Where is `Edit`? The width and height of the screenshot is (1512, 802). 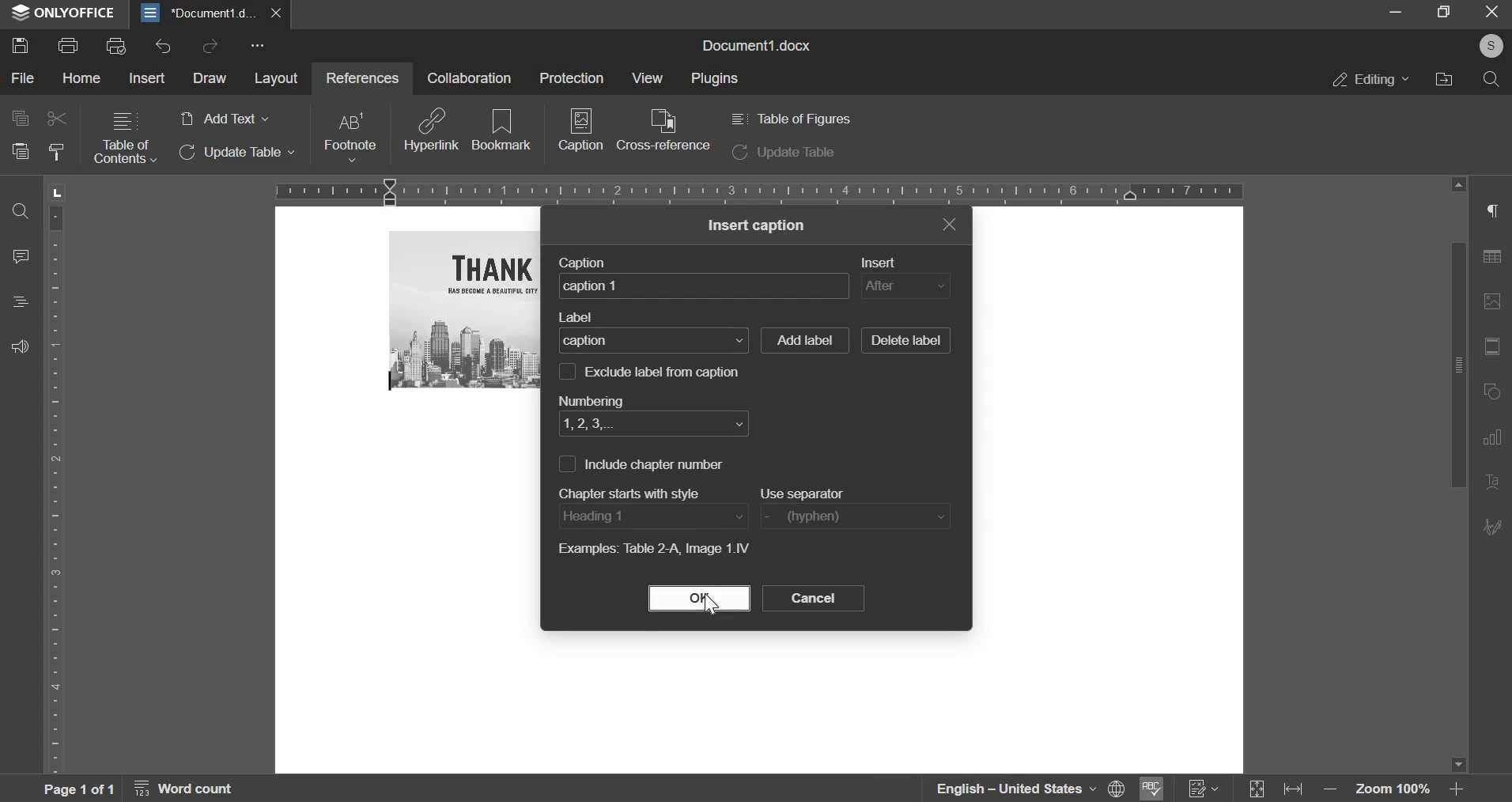
Edit is located at coordinates (1494, 525).